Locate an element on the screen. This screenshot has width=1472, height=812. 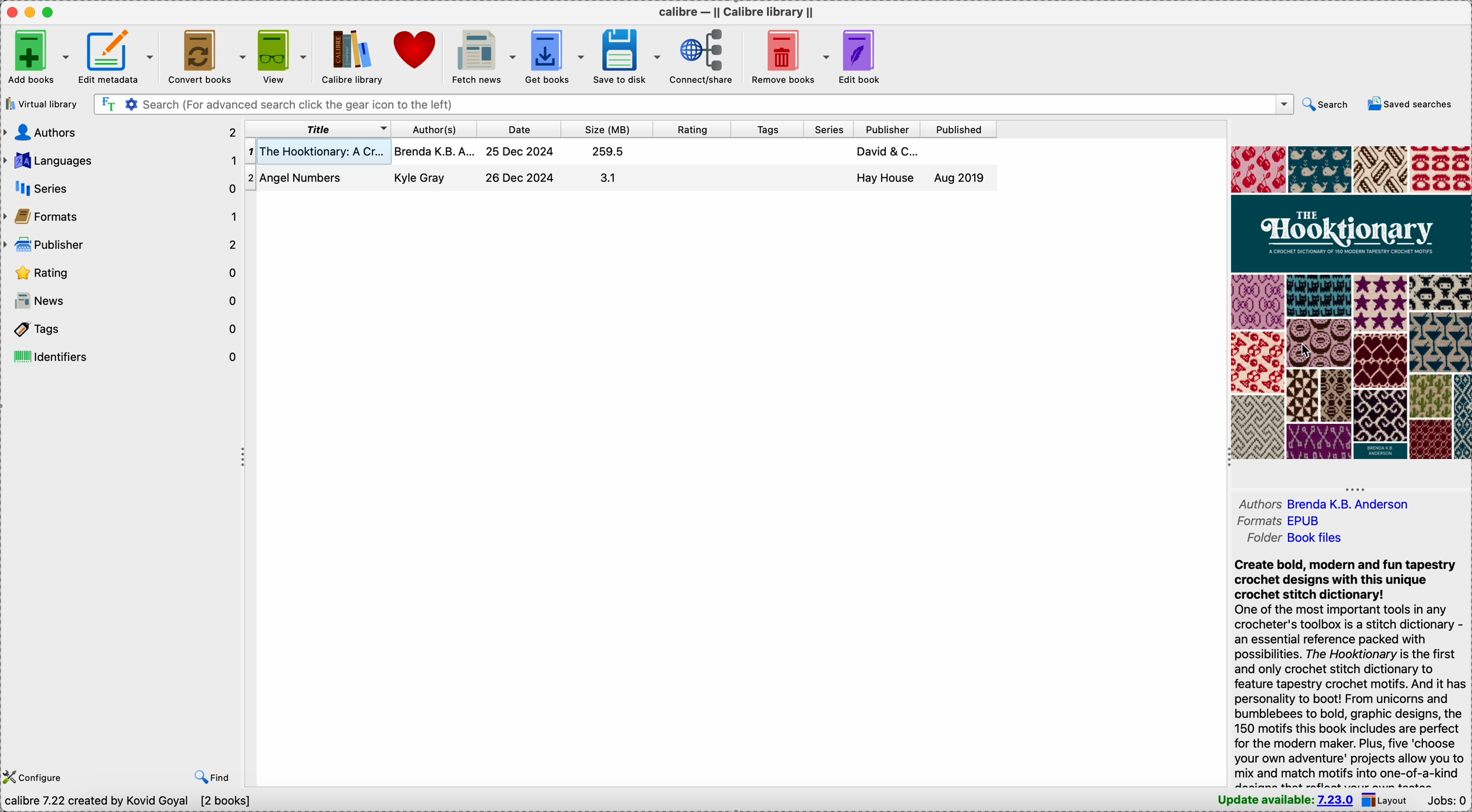
size is located at coordinates (606, 129).